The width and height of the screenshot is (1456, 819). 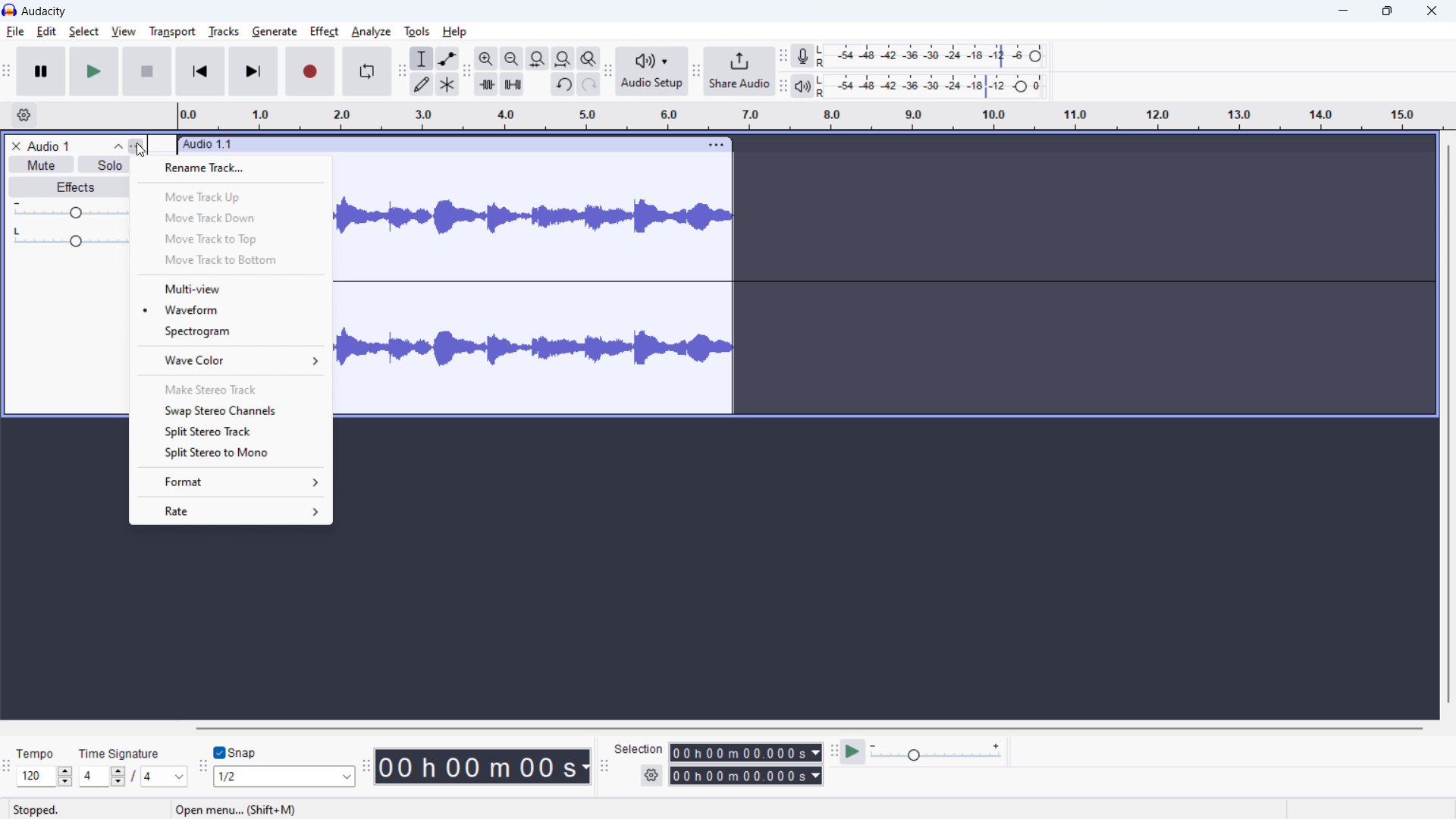 I want to click on redo, so click(x=588, y=84).